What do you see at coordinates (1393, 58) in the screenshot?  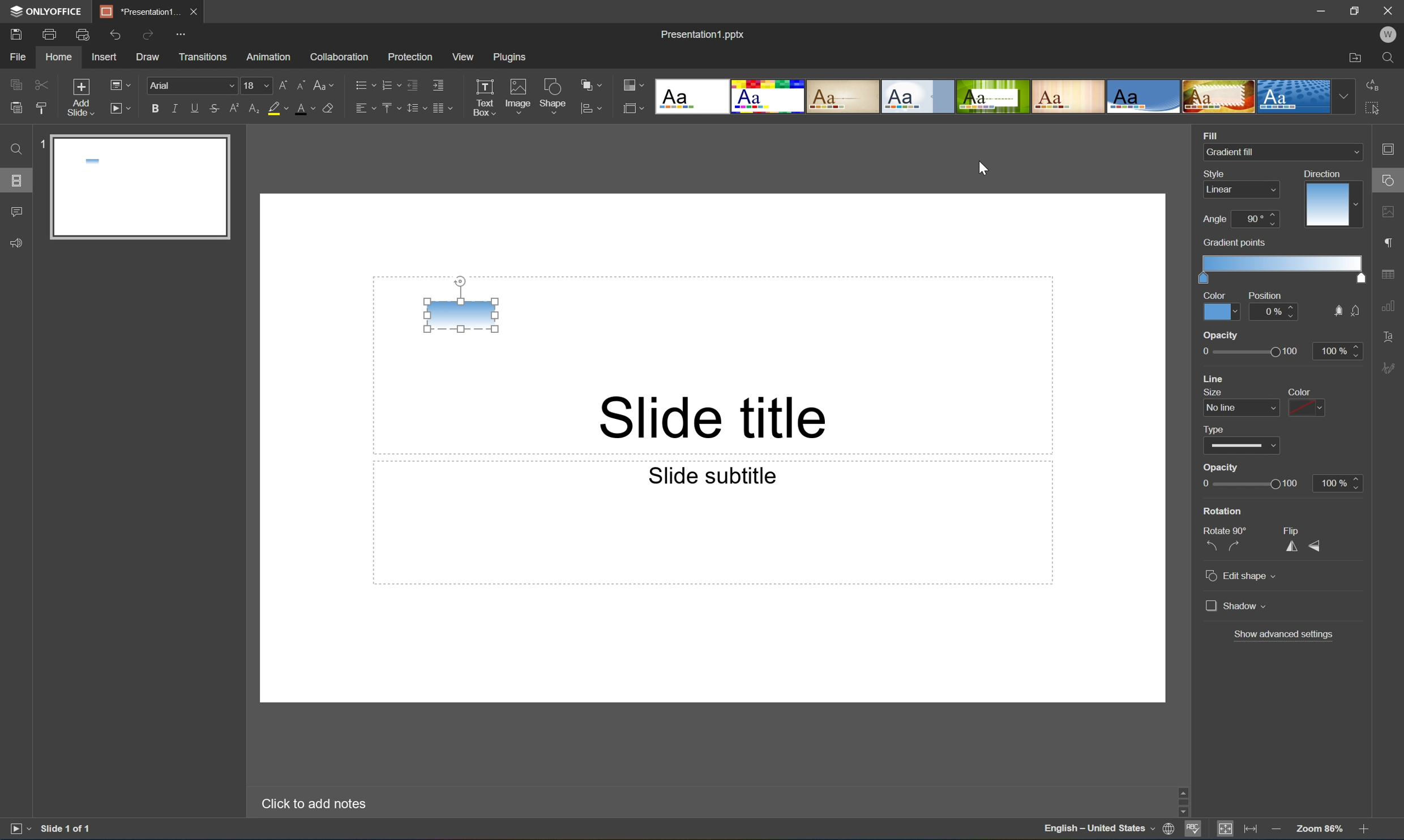 I see `Find` at bounding box center [1393, 58].